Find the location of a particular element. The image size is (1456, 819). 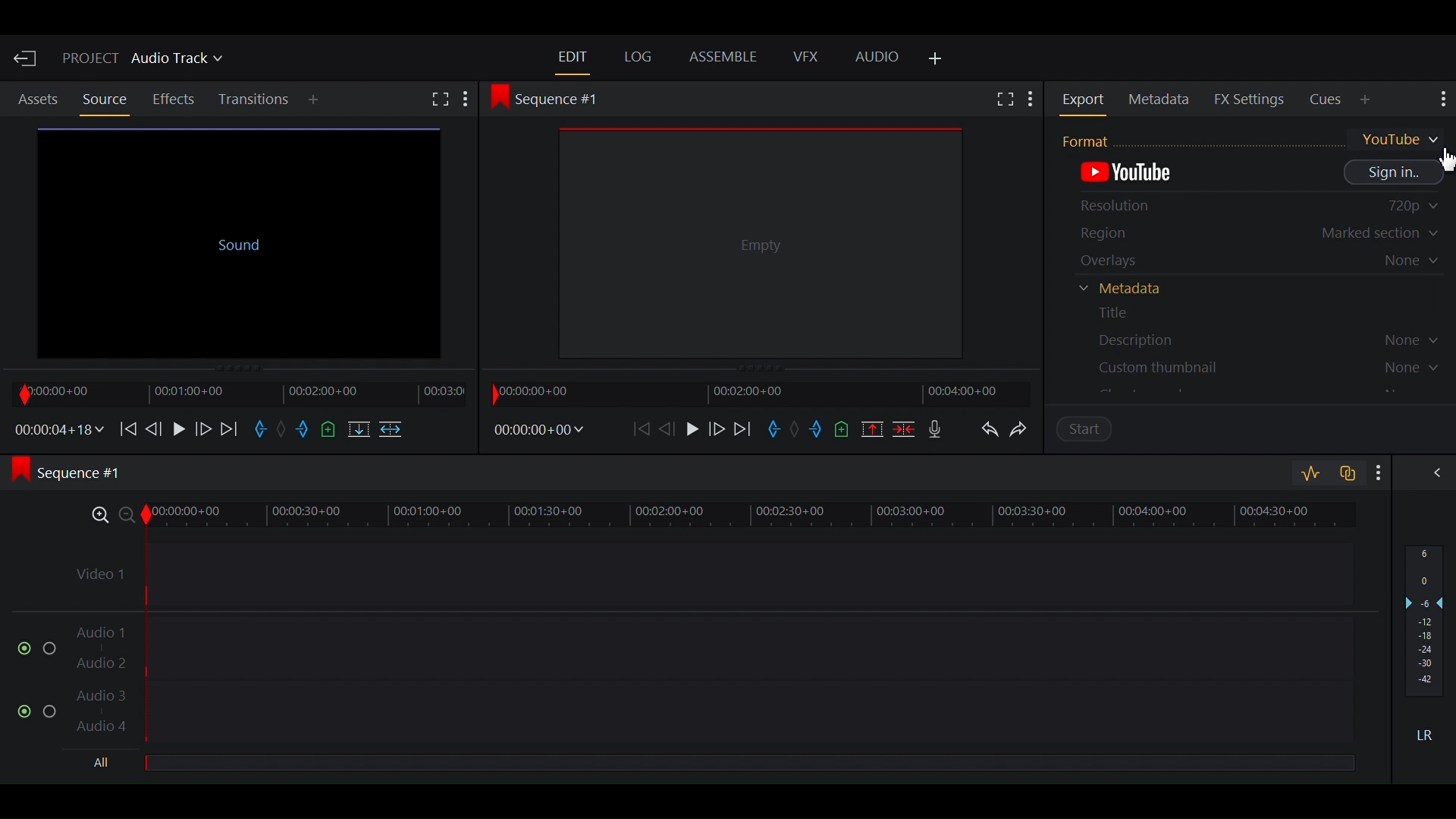

Redo is located at coordinates (1026, 433).